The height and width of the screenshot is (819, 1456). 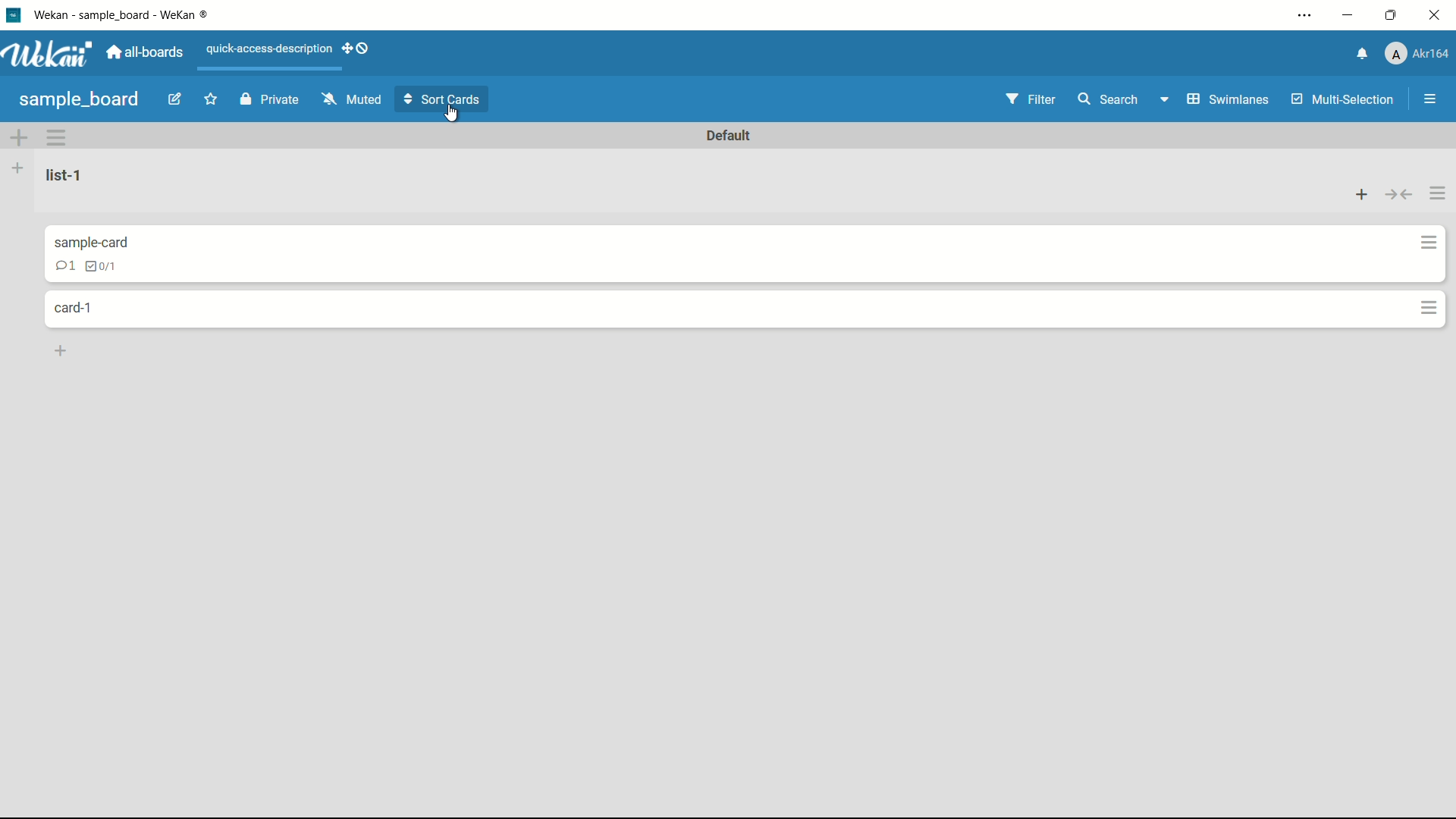 I want to click on board name, so click(x=81, y=101).